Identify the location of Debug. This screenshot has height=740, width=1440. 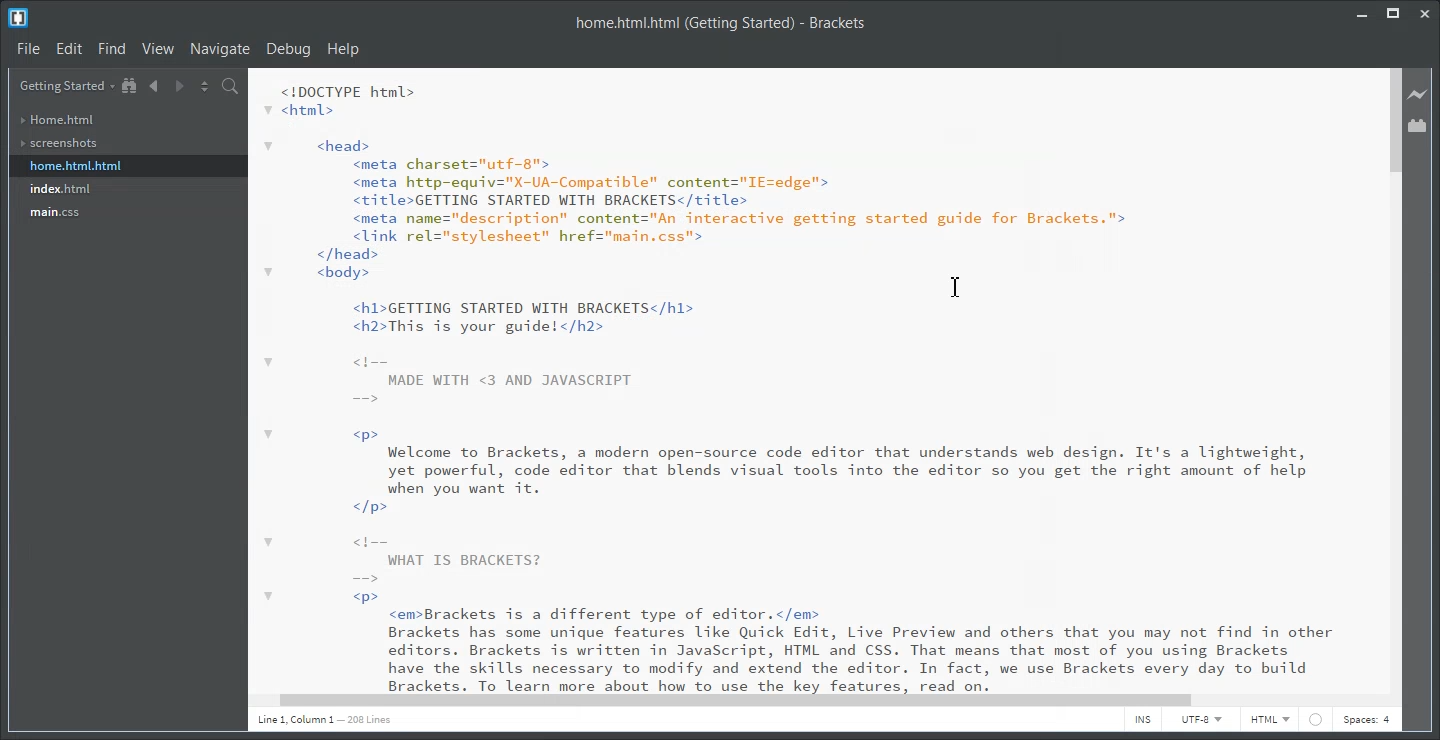
(288, 49).